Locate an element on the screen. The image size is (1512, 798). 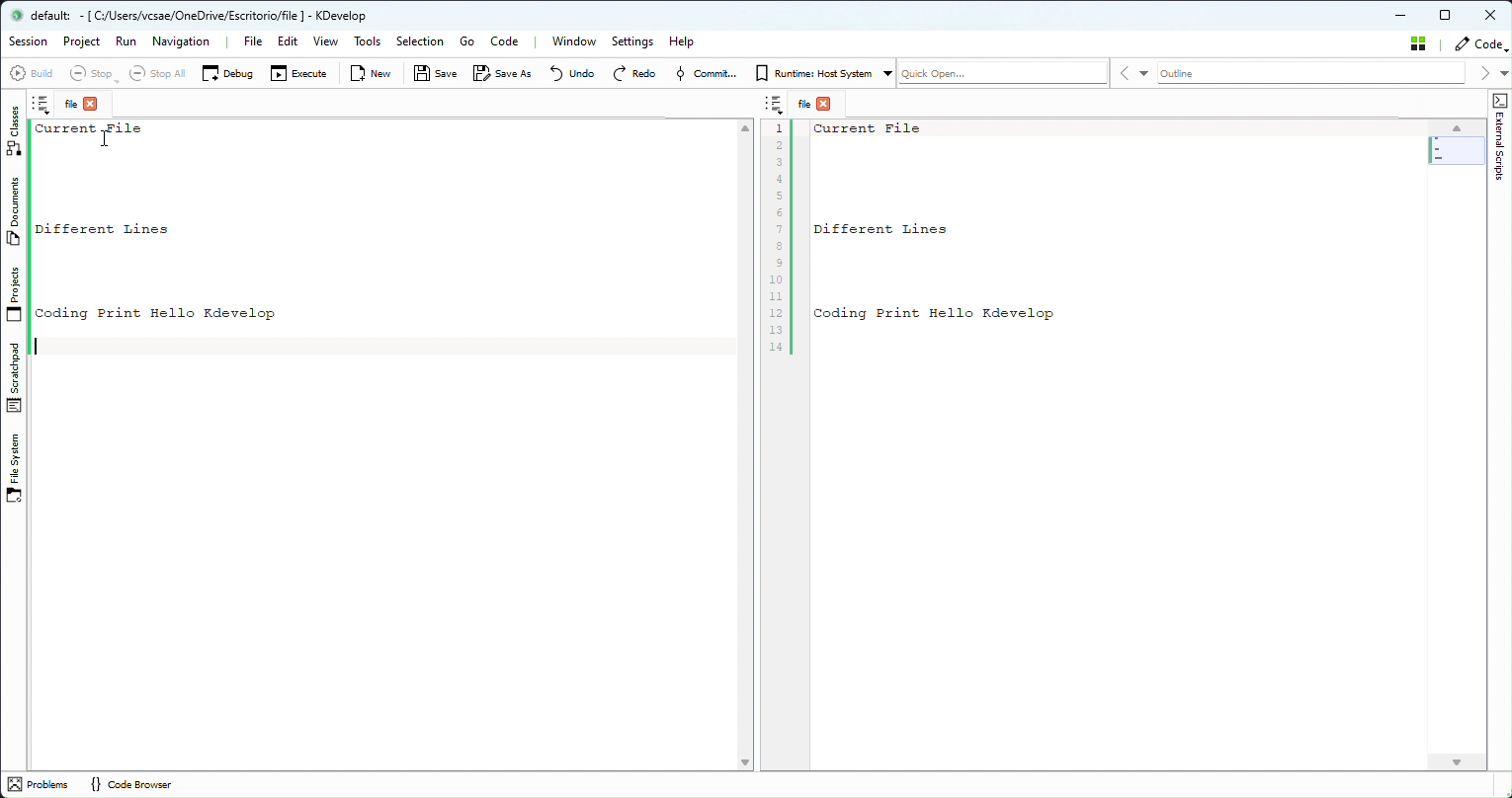
File is located at coordinates (255, 42).